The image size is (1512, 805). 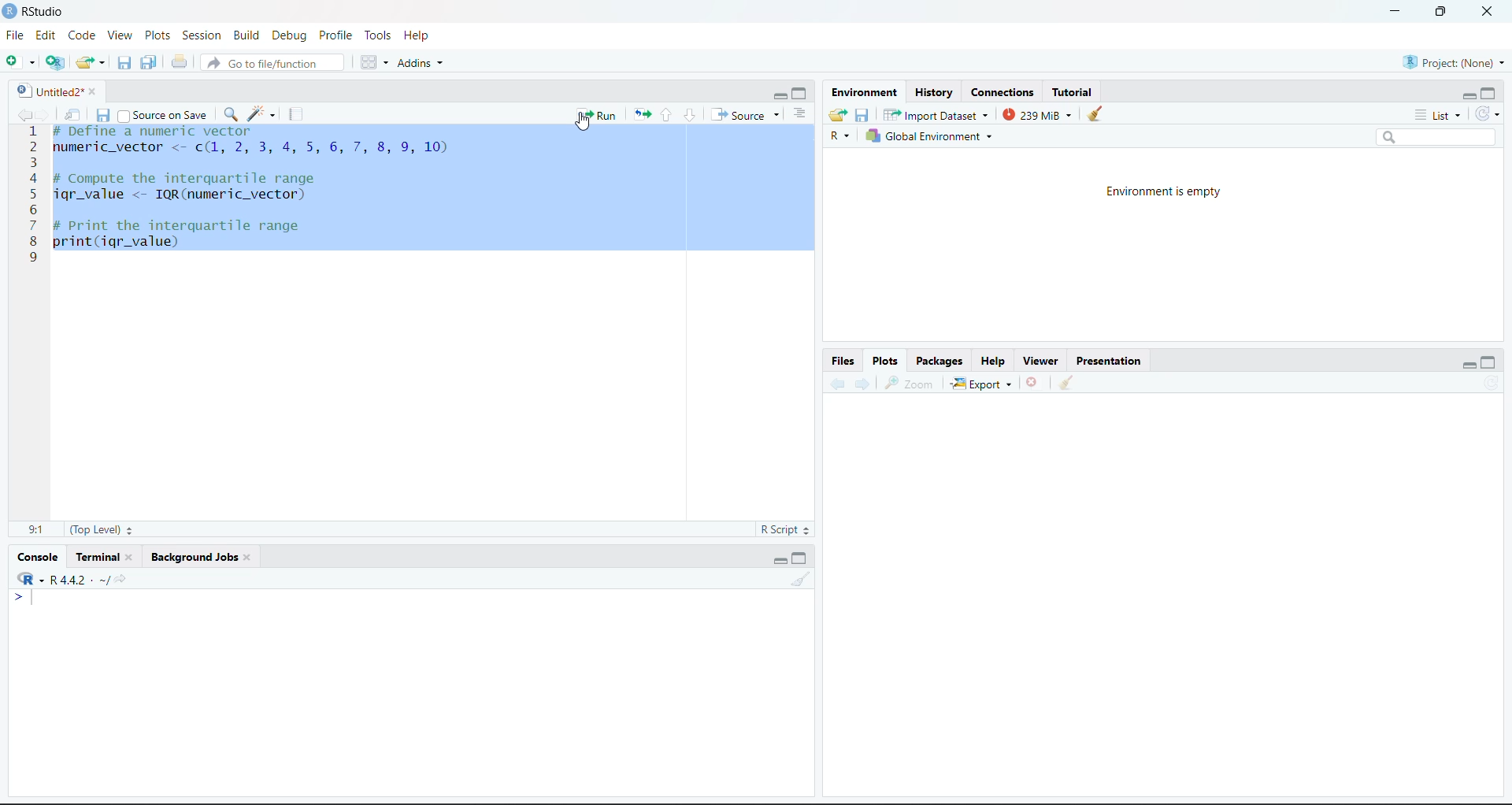 What do you see at coordinates (264, 112) in the screenshot?
I see `Code Tools` at bounding box center [264, 112].